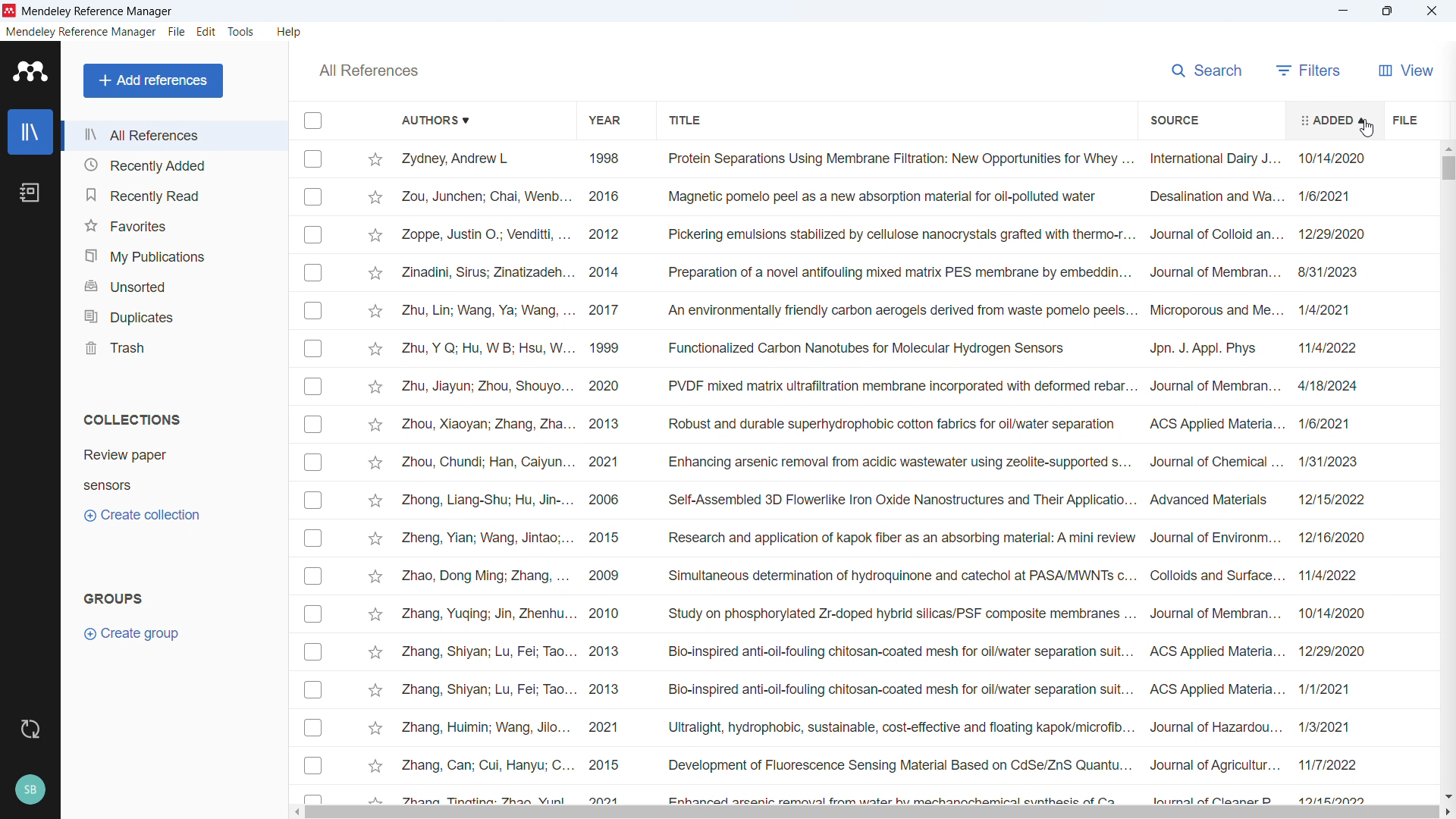 This screenshot has height=819, width=1456. I want to click on Duplicates , so click(173, 313).